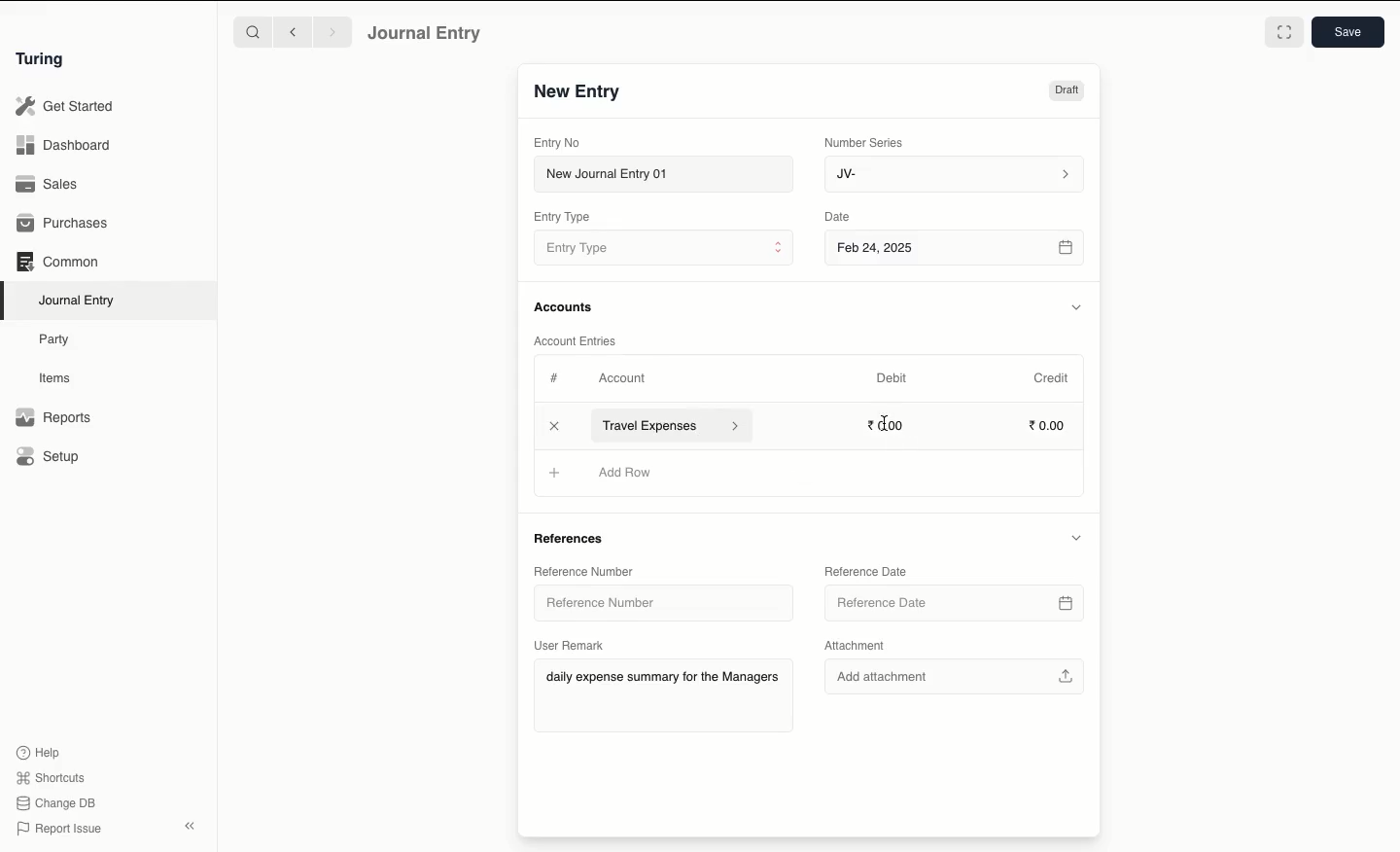 The height and width of the screenshot is (852, 1400). Describe the element at coordinates (673, 427) in the screenshot. I see `Travel Expenses` at that location.